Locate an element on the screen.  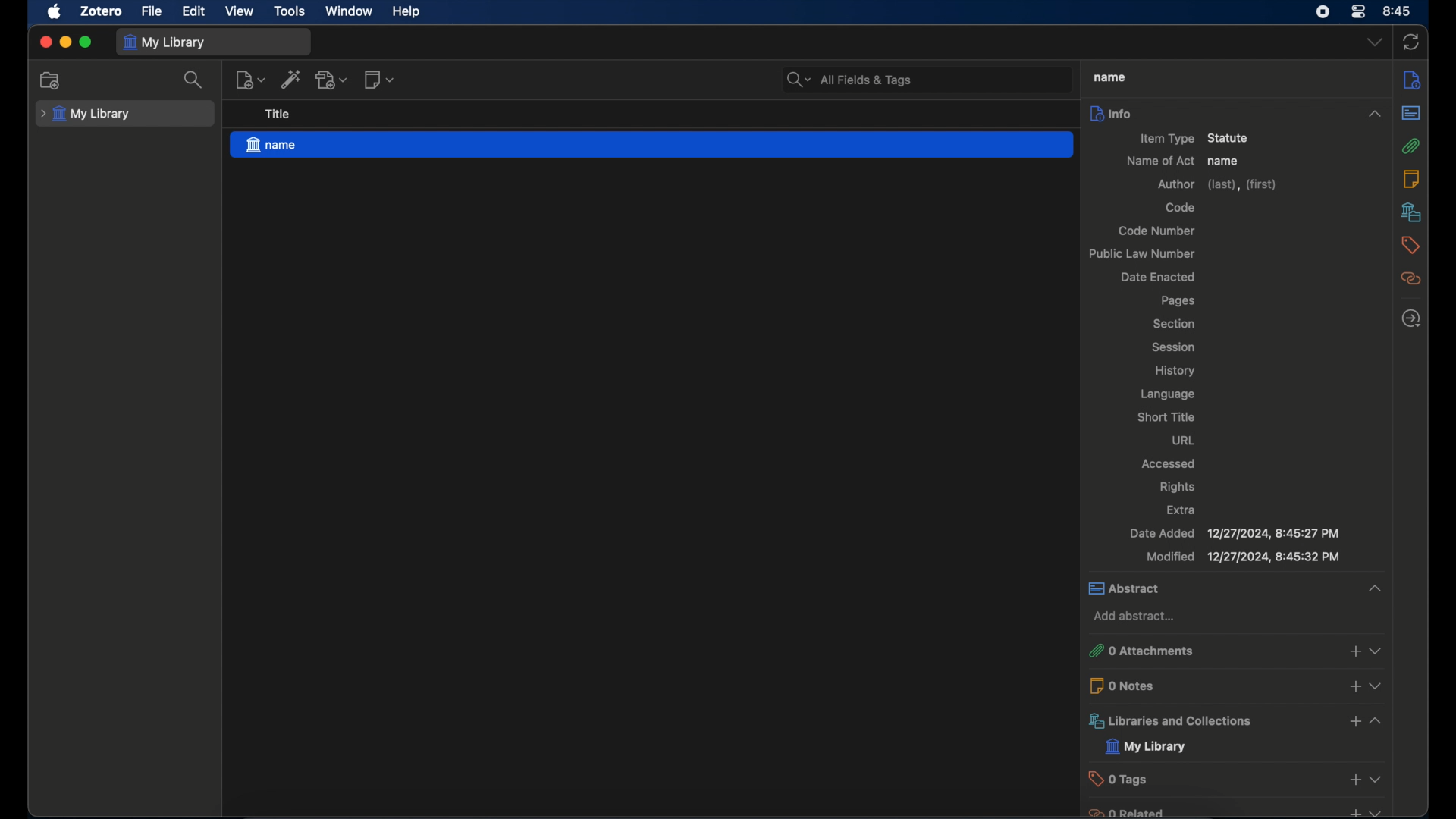
url is located at coordinates (1181, 440).